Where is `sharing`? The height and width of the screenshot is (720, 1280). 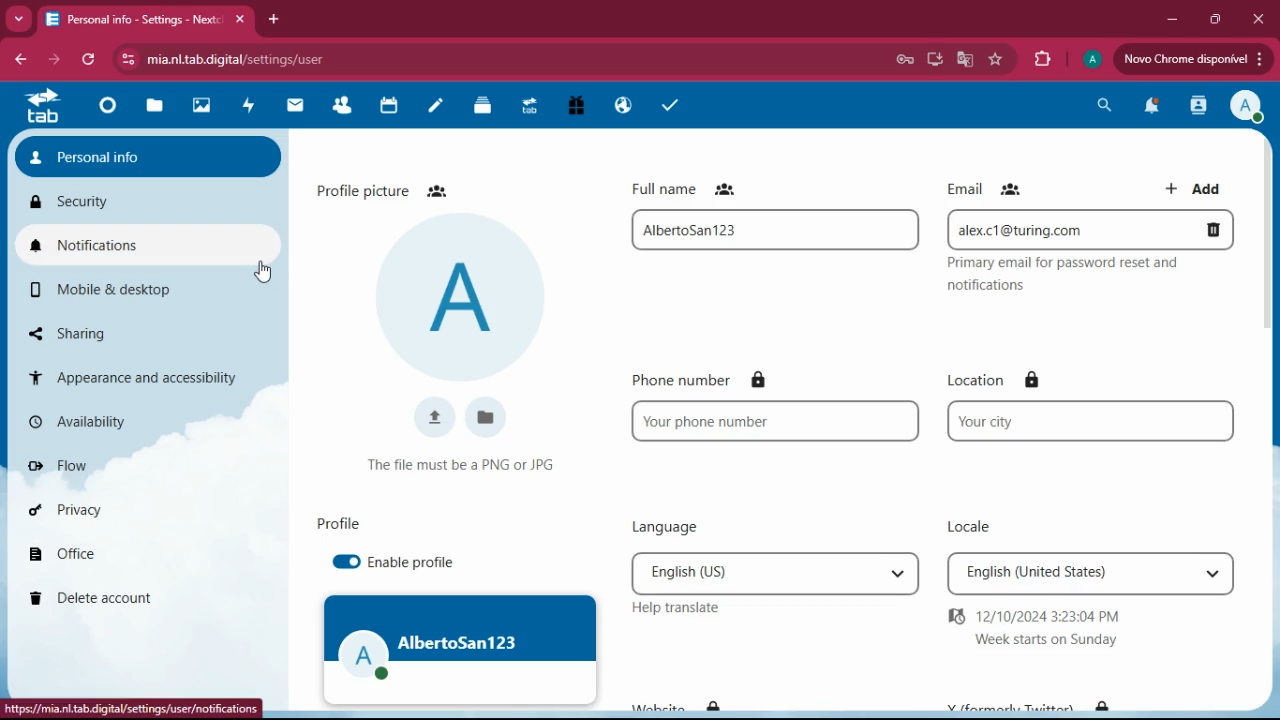
sharing is located at coordinates (108, 333).